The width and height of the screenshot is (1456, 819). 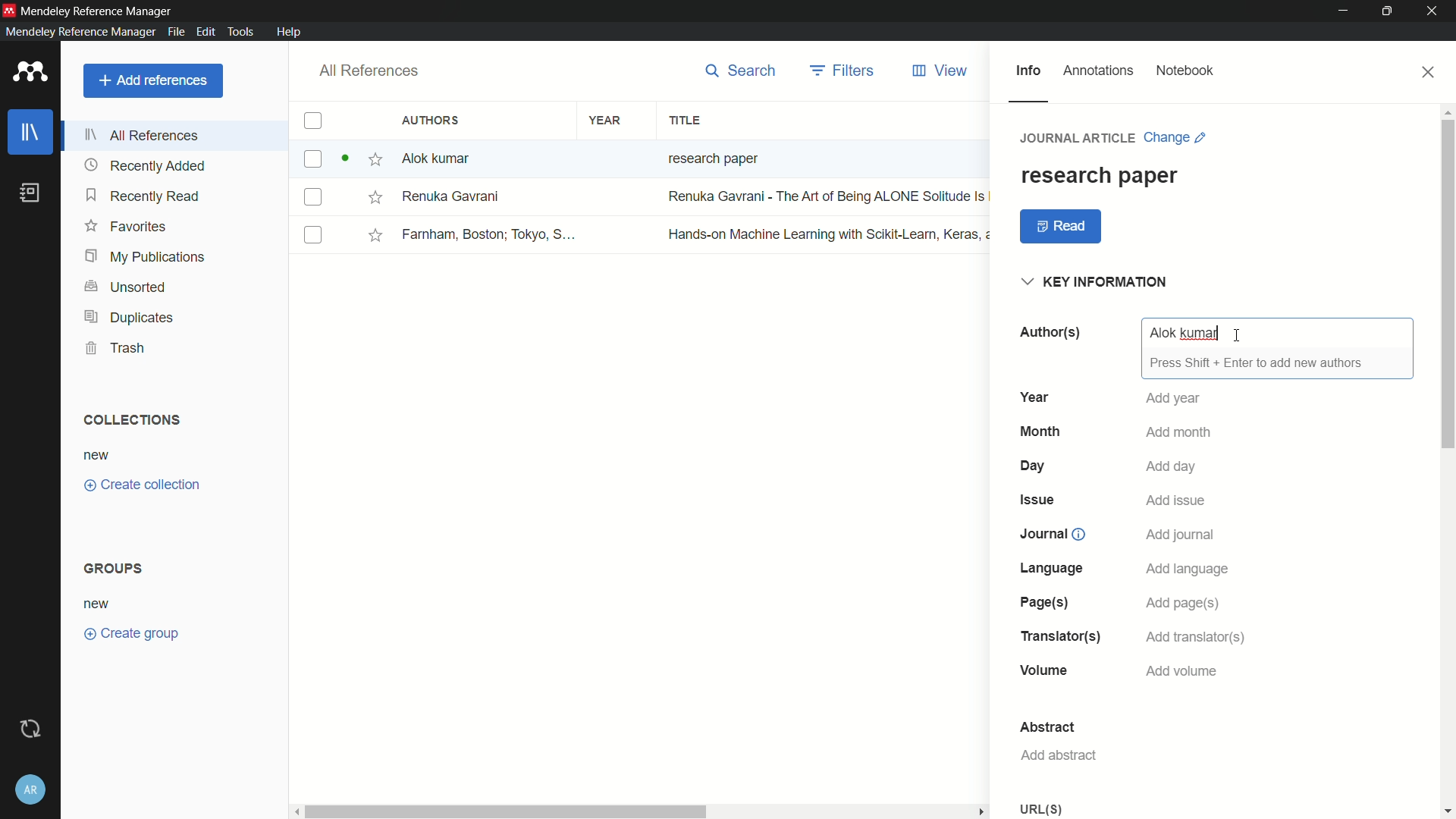 I want to click on url, so click(x=1041, y=808).